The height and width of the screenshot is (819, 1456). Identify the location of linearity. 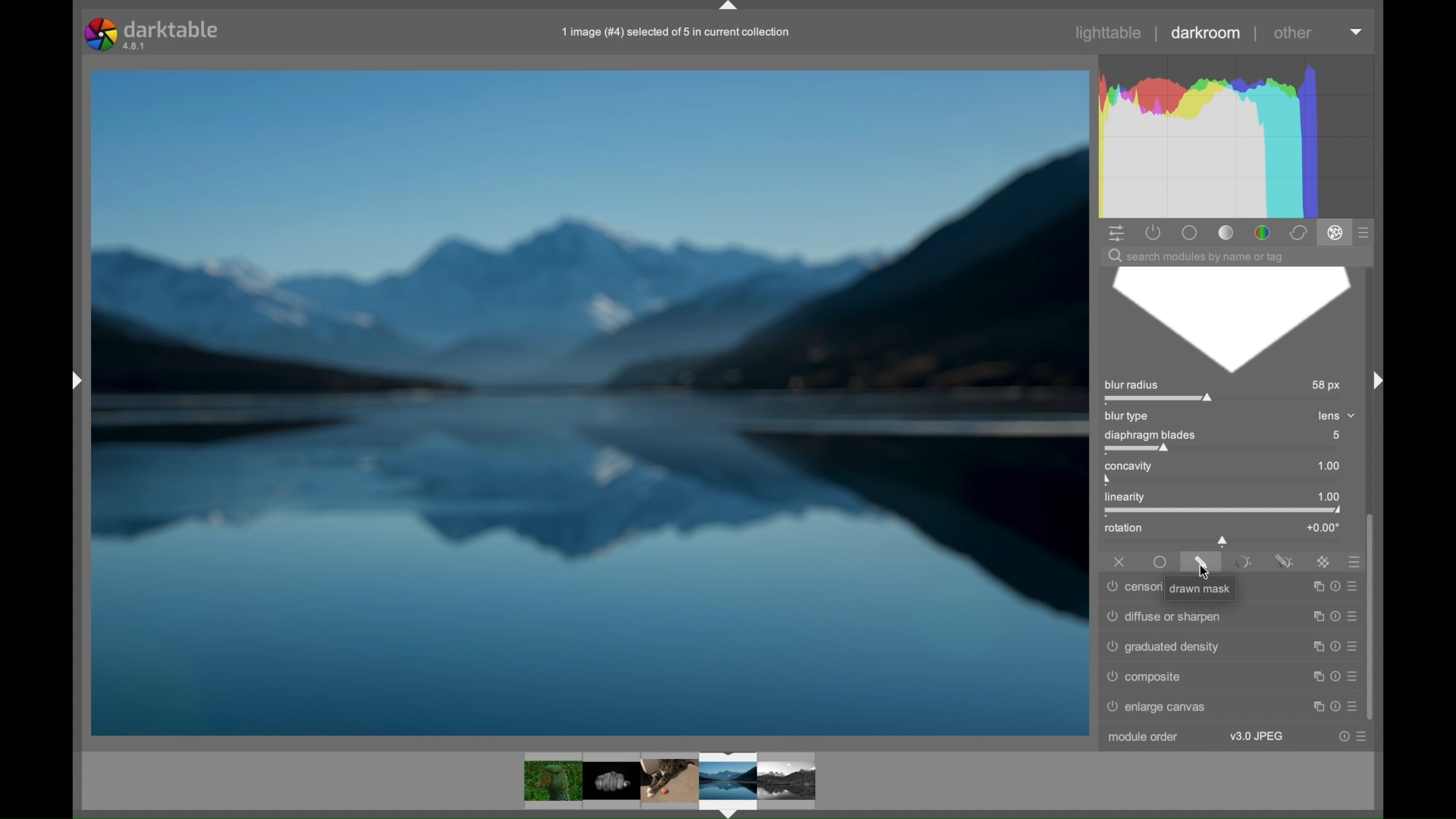
(1137, 500).